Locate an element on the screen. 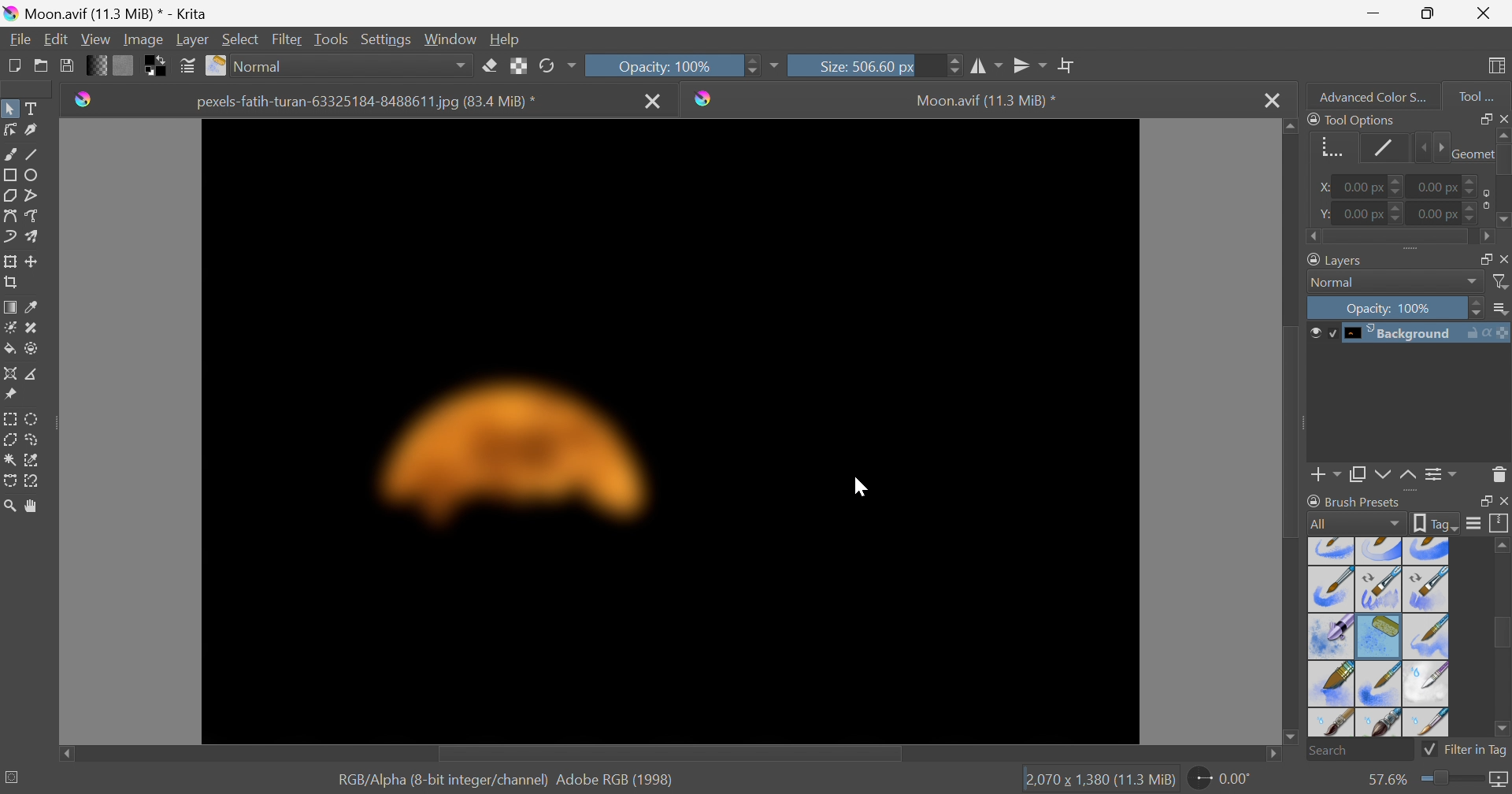 The width and height of the screenshot is (1512, 794). Restore down is located at coordinates (1480, 118).